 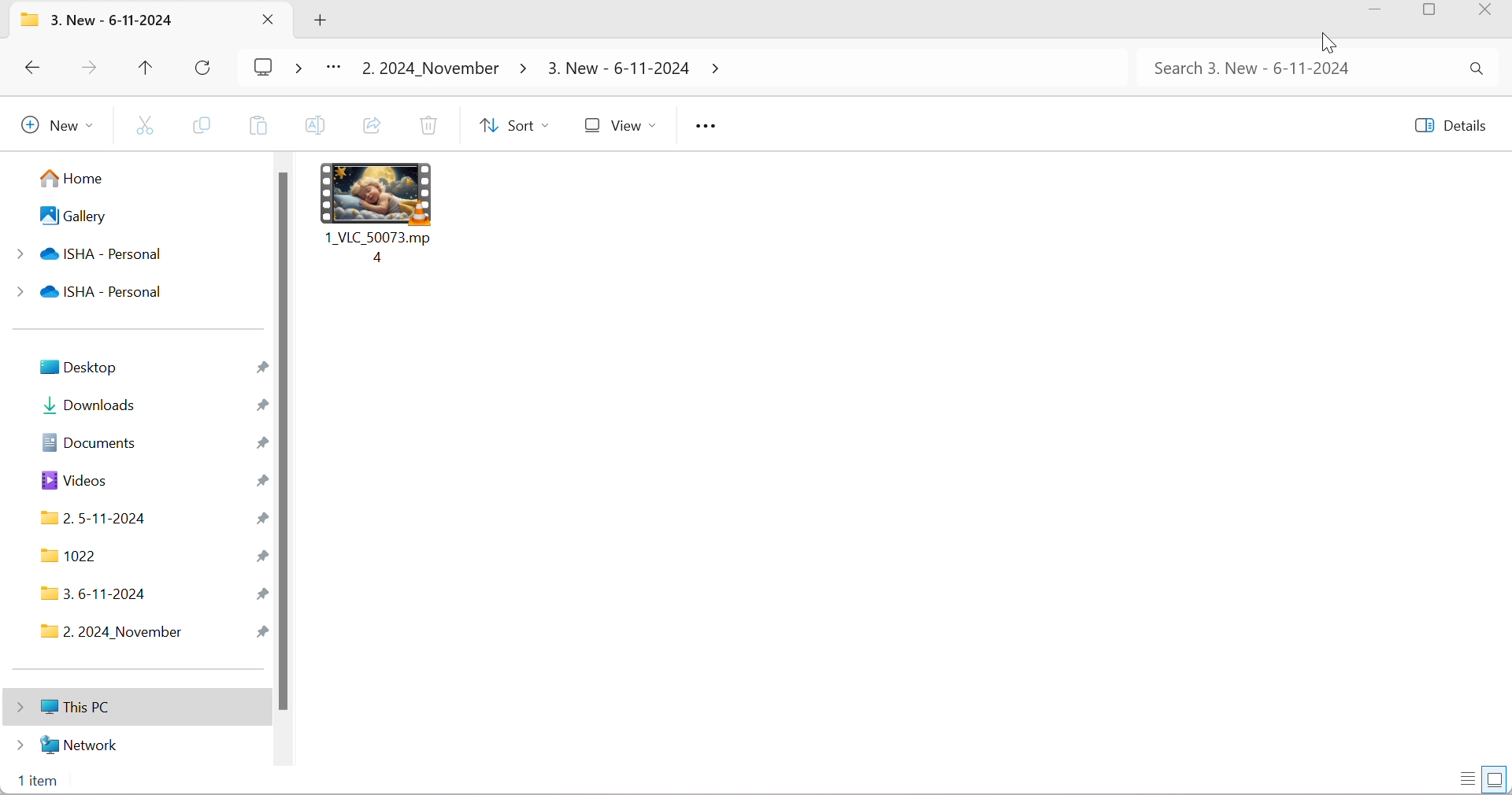 I want to click on Icon, so click(x=32, y=20).